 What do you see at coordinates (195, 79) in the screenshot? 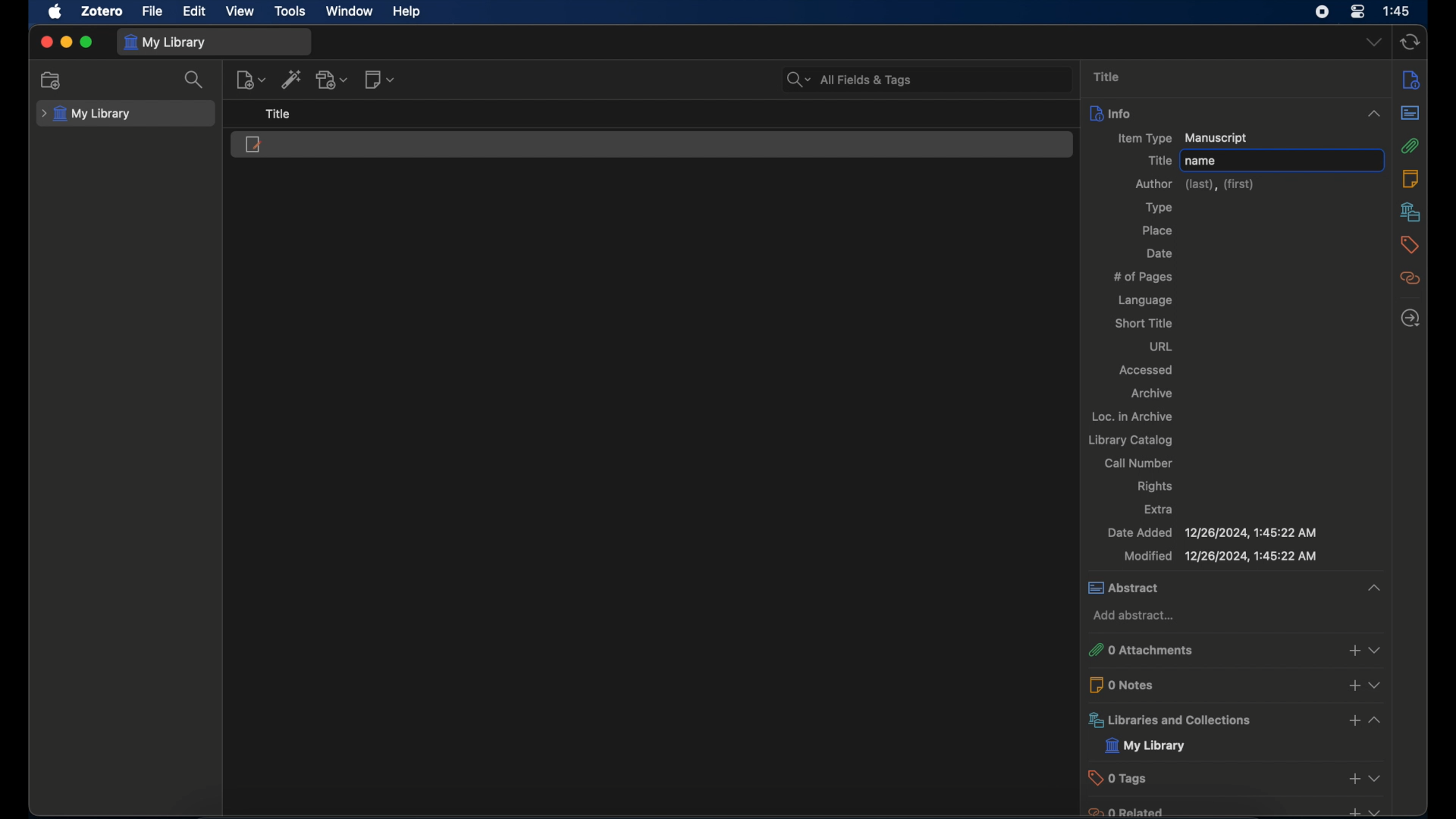
I see `search` at bounding box center [195, 79].